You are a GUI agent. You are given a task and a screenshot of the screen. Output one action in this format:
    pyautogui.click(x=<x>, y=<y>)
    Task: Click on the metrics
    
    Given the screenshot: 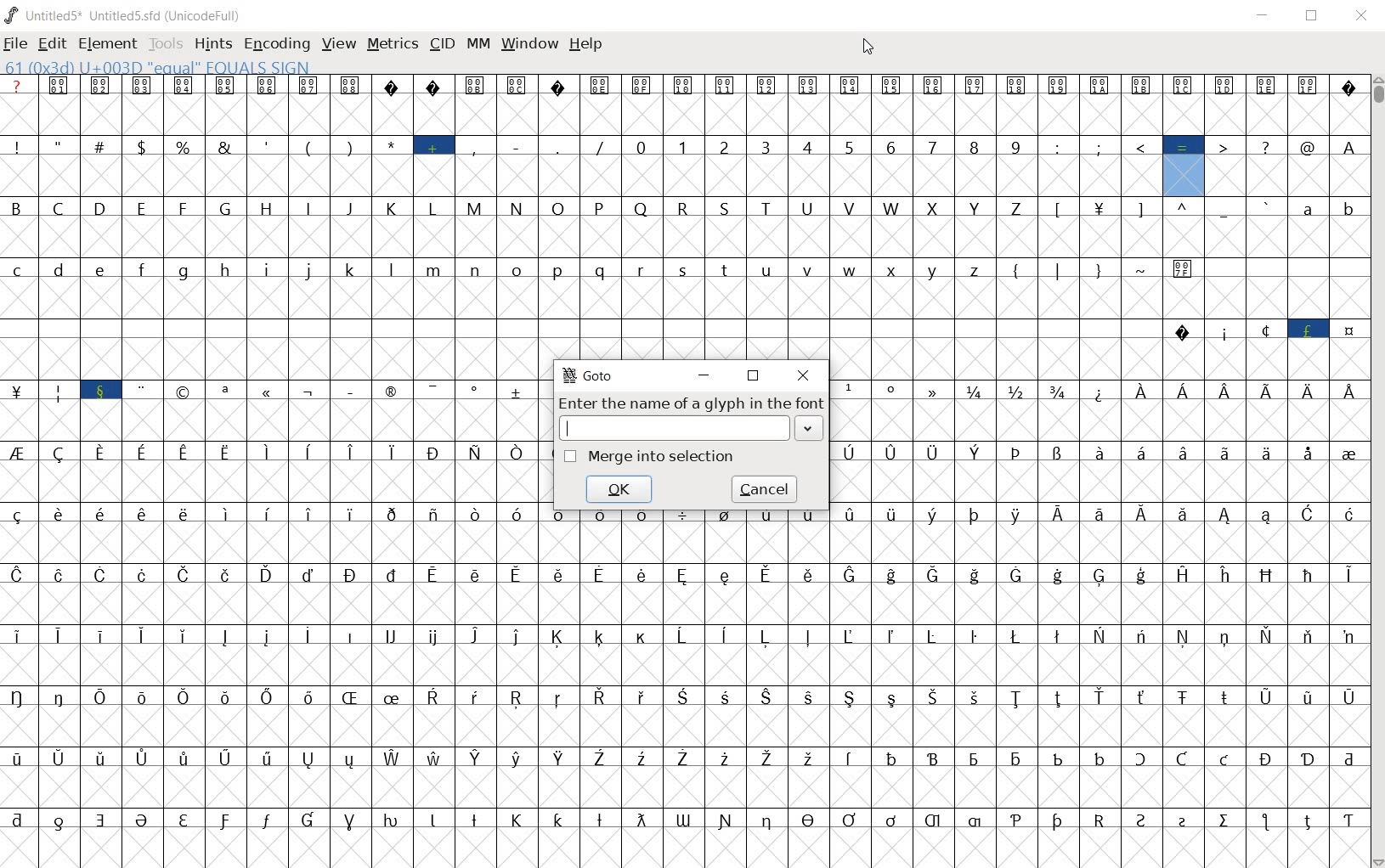 What is the action you would take?
    pyautogui.click(x=392, y=43)
    